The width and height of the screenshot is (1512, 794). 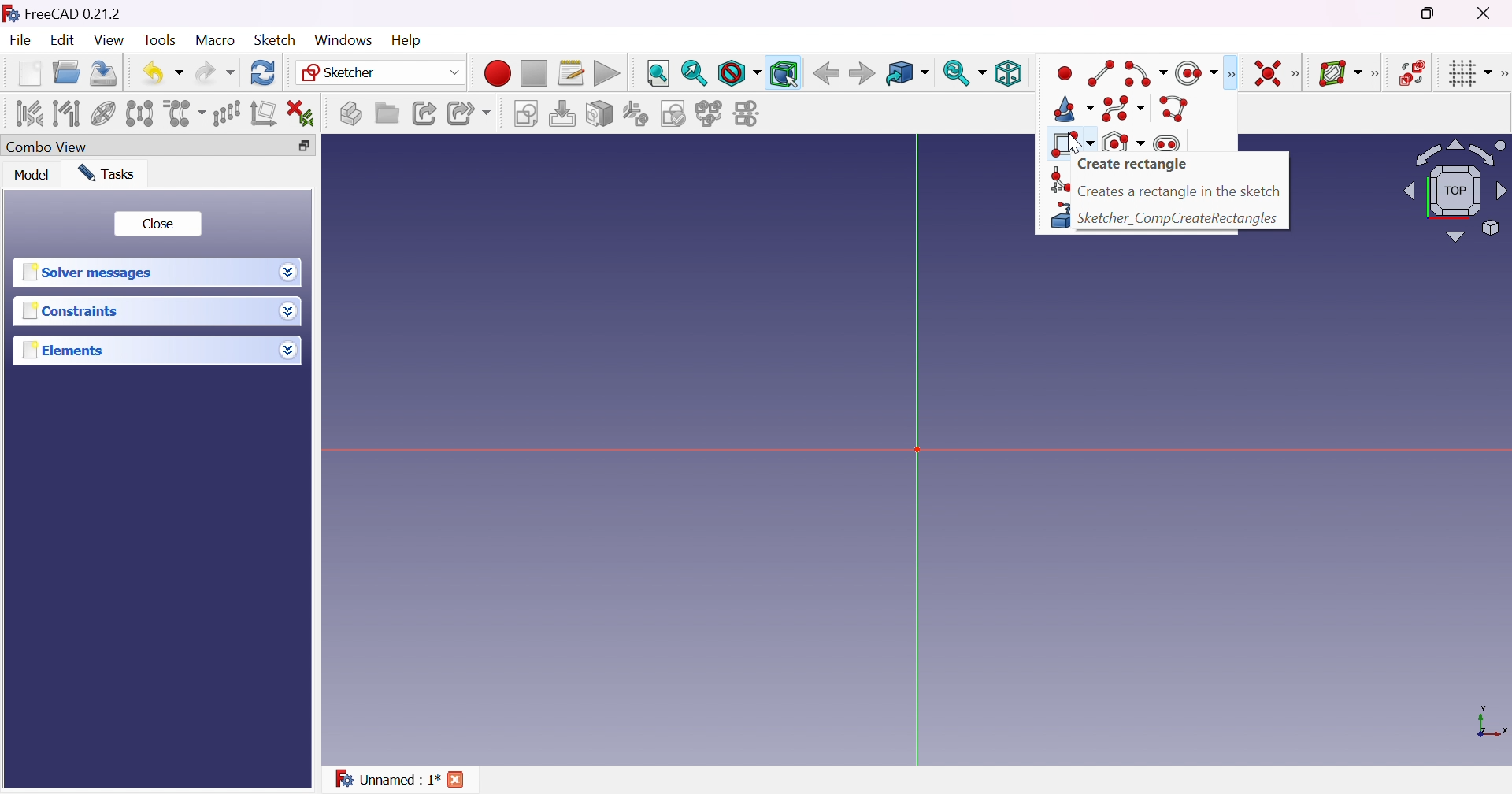 I want to click on Create arc, so click(x=1138, y=73).